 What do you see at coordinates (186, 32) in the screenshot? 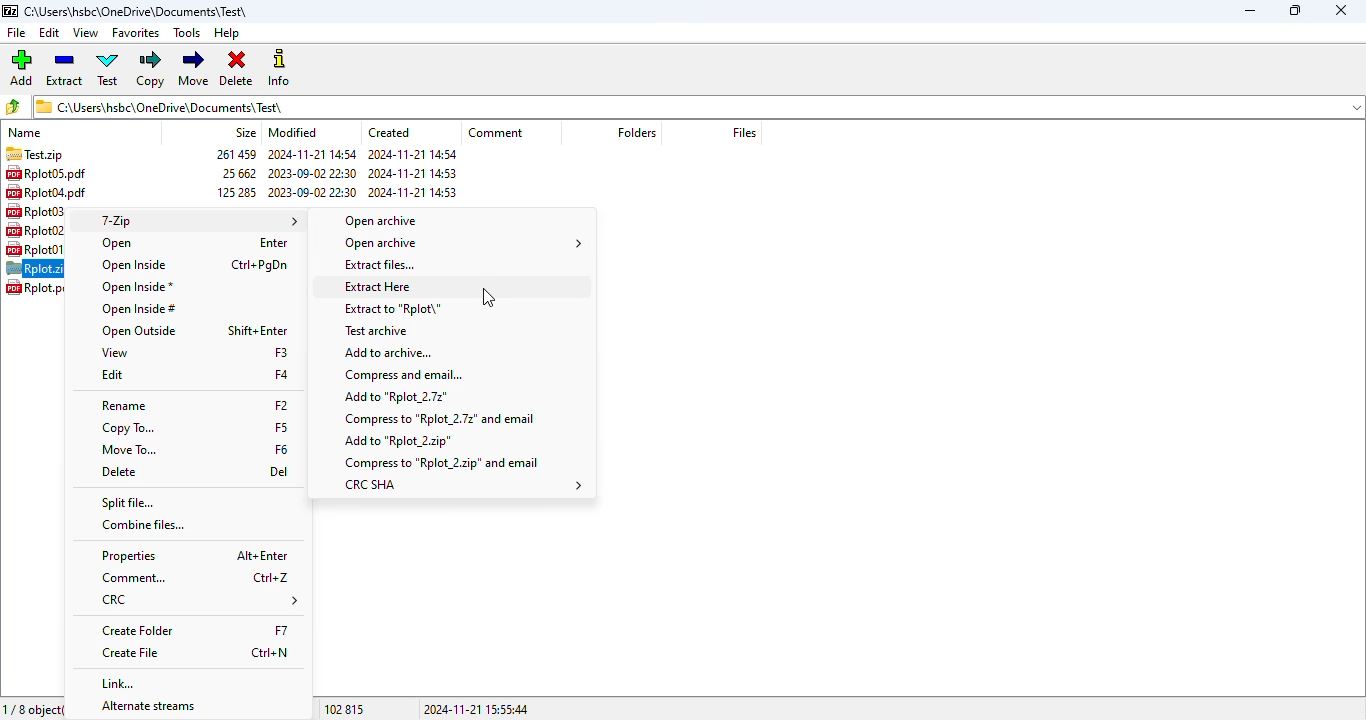
I see `tools` at bounding box center [186, 32].